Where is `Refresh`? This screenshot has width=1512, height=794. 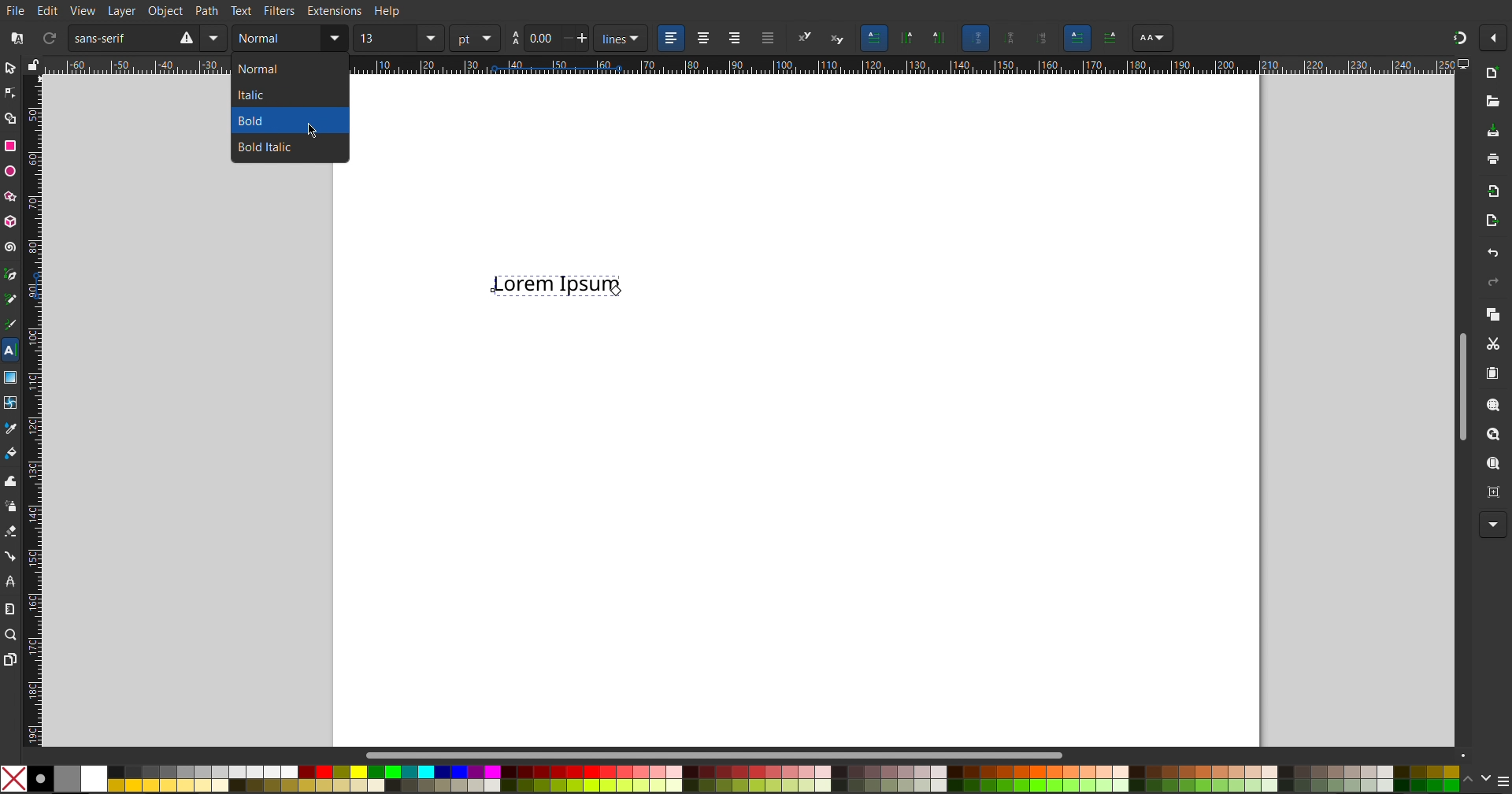
Refresh is located at coordinates (49, 39).